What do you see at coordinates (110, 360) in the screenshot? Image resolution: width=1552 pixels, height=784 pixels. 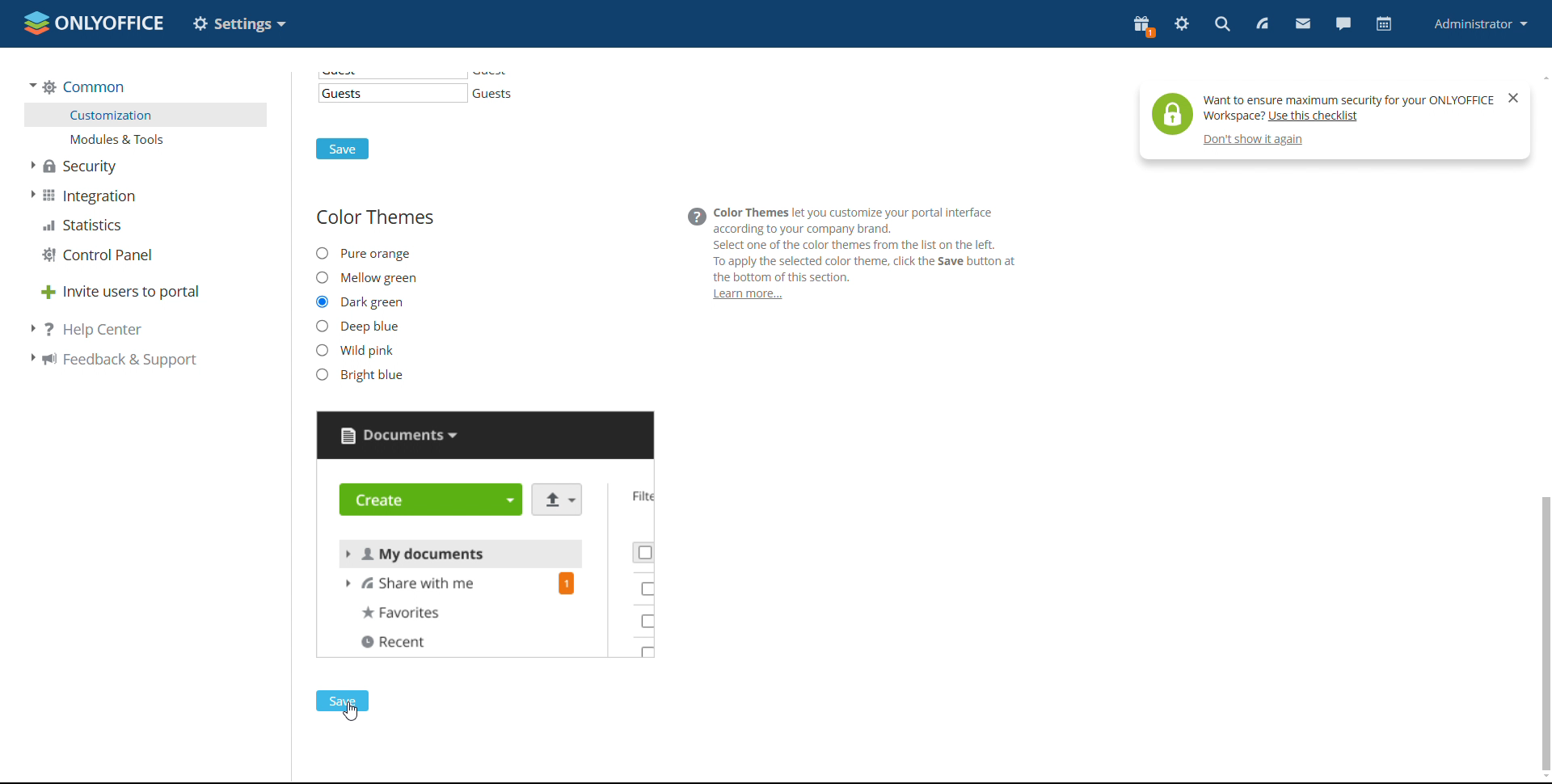 I see `feedback support` at bounding box center [110, 360].